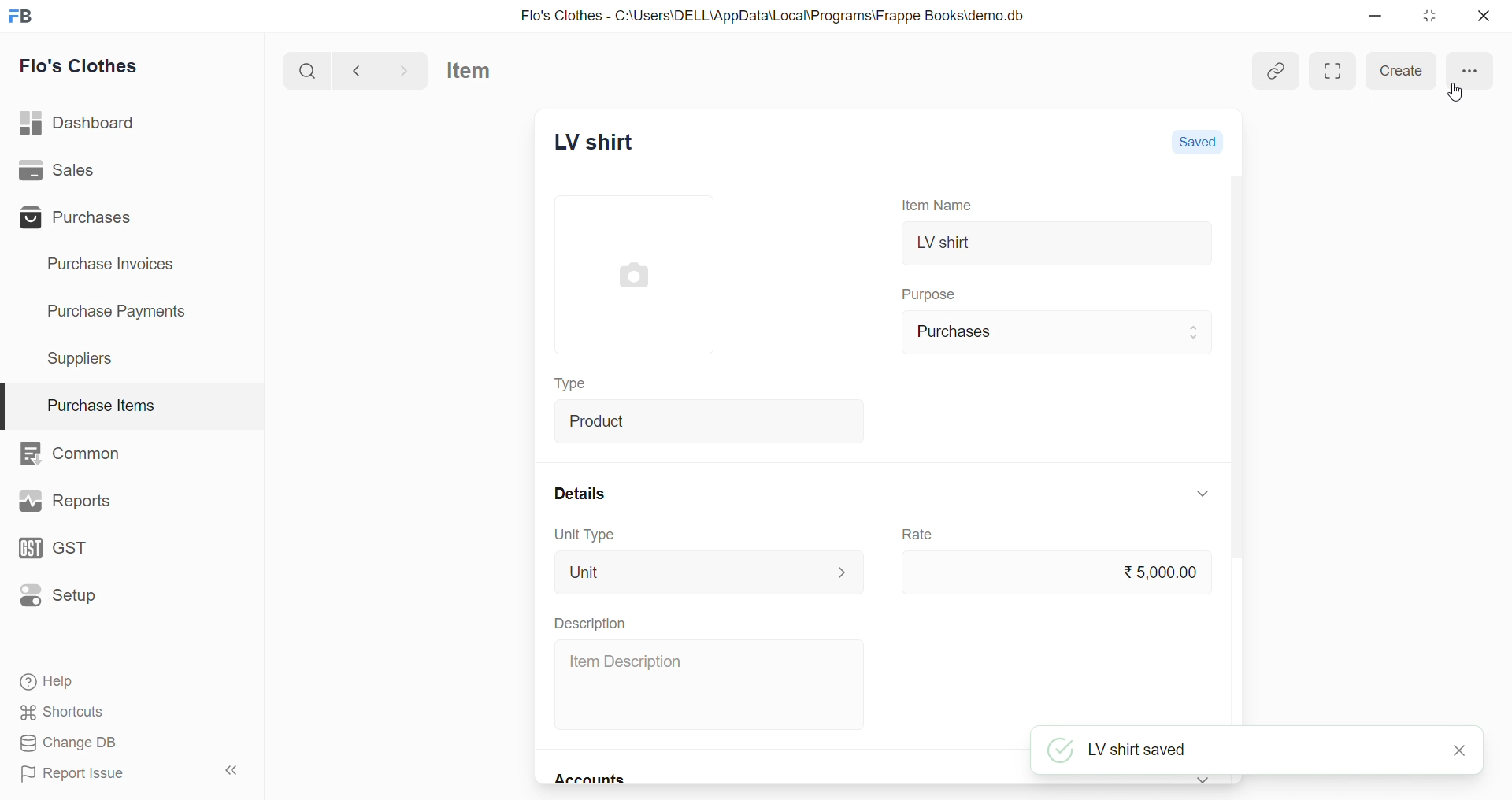 Image resolution: width=1512 pixels, height=800 pixels. Describe the element at coordinates (1199, 142) in the screenshot. I see `Saved` at that location.